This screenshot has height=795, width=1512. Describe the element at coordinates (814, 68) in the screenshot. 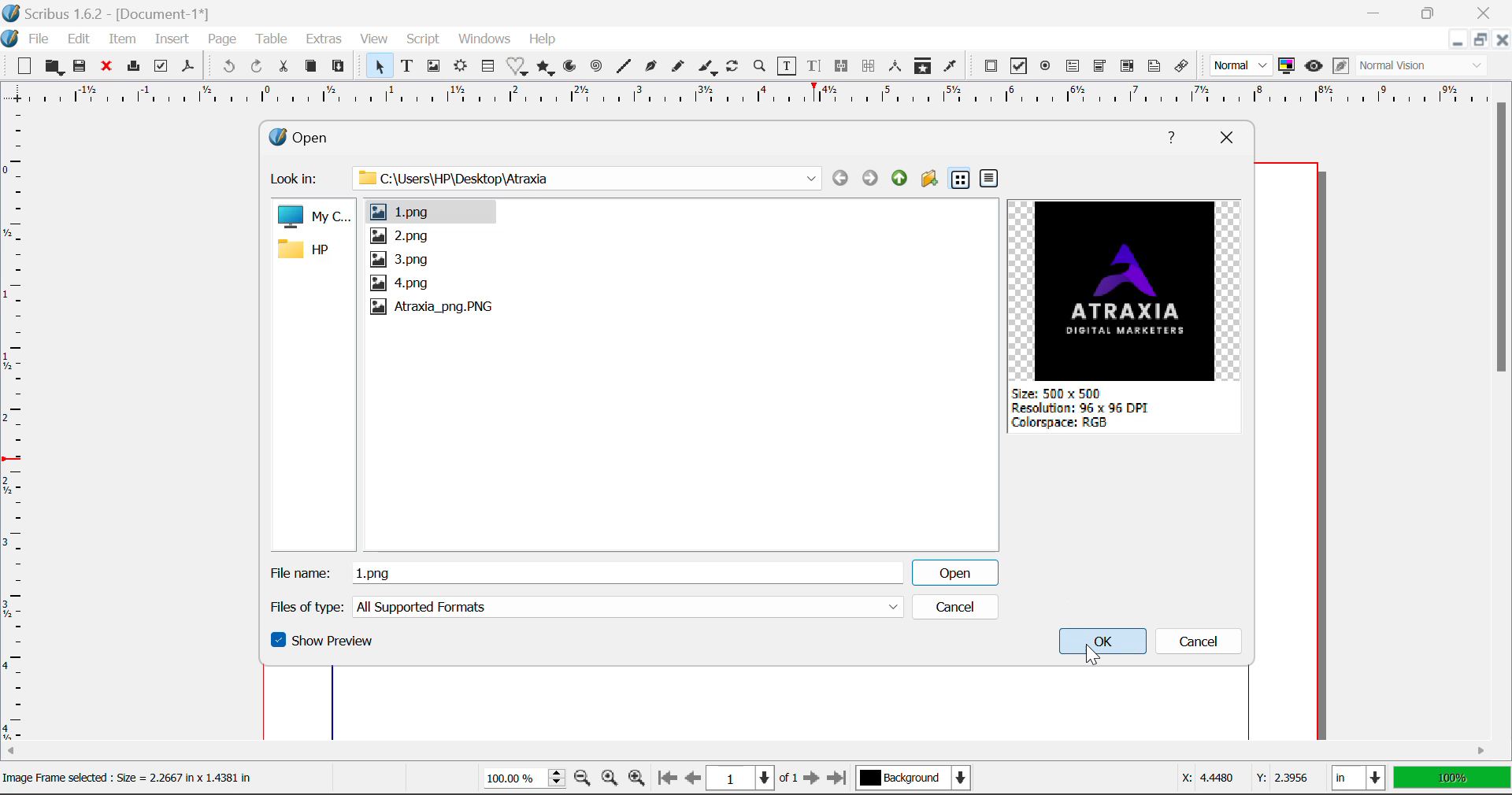

I see `Edit Text in Story Editor` at that location.